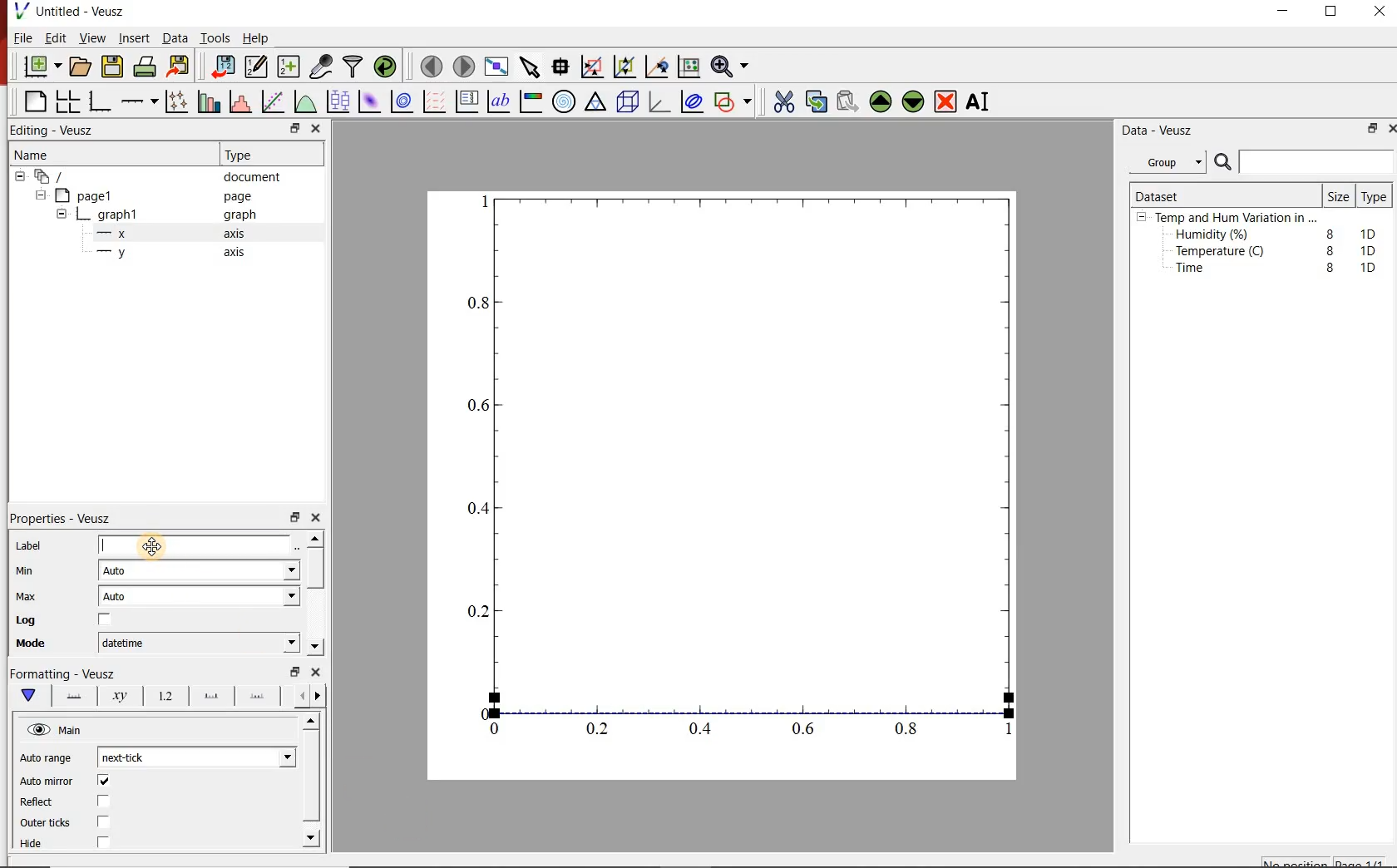  What do you see at coordinates (430, 67) in the screenshot?
I see `move to the previous page` at bounding box center [430, 67].